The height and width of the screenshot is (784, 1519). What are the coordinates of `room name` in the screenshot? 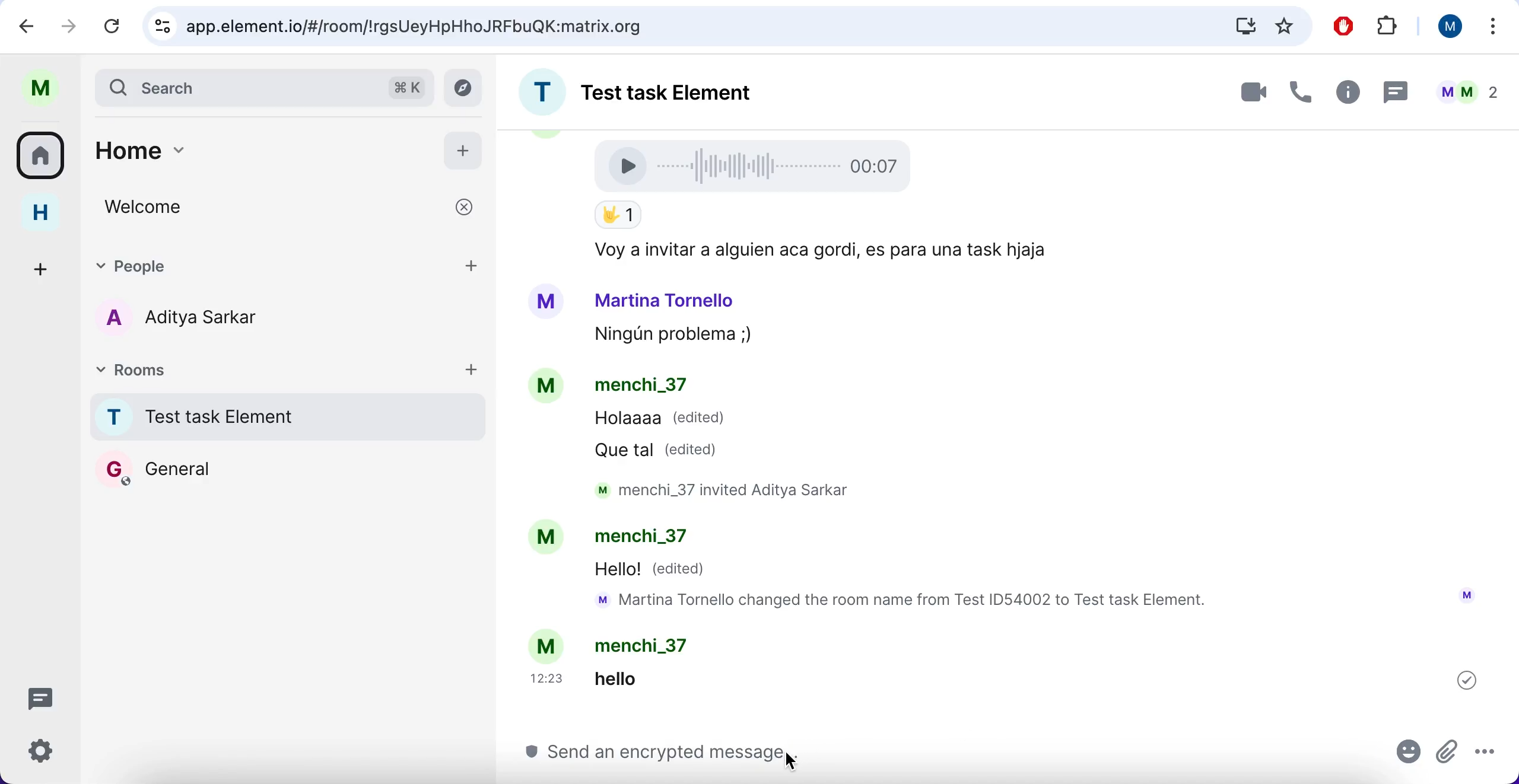 It's located at (659, 88).